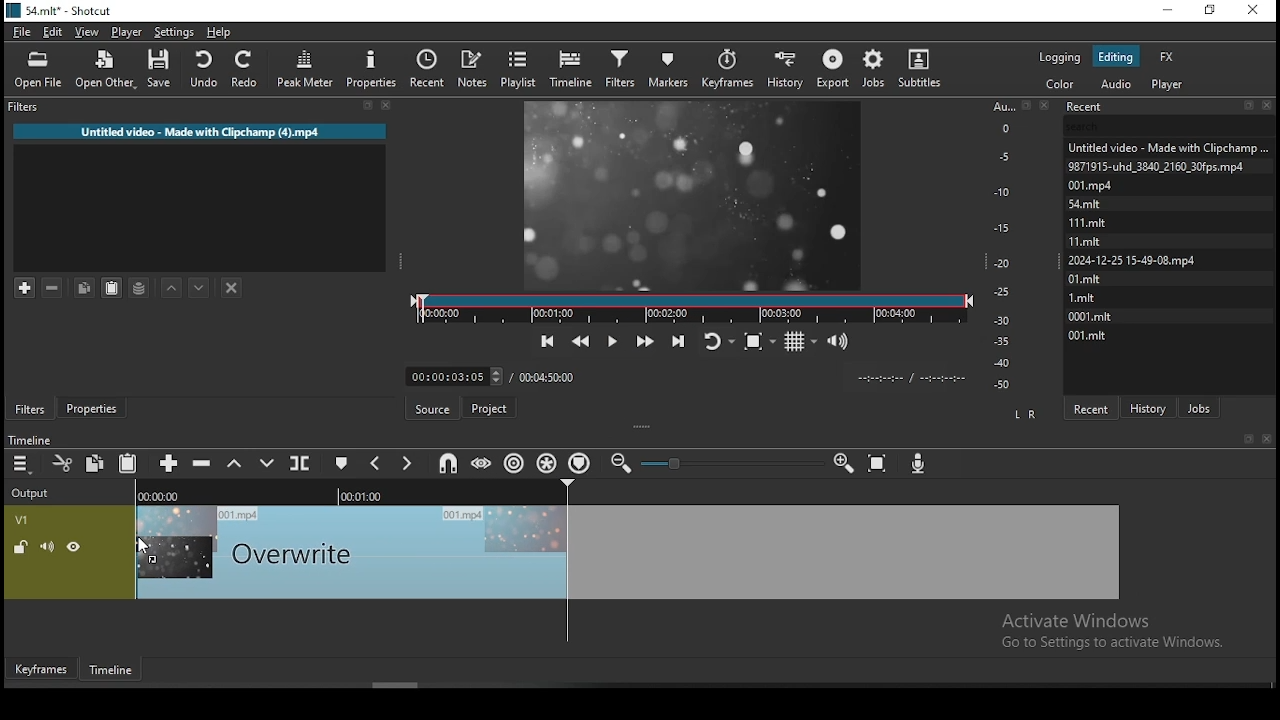 This screenshot has width=1280, height=720. I want to click on edit track time, so click(453, 376).